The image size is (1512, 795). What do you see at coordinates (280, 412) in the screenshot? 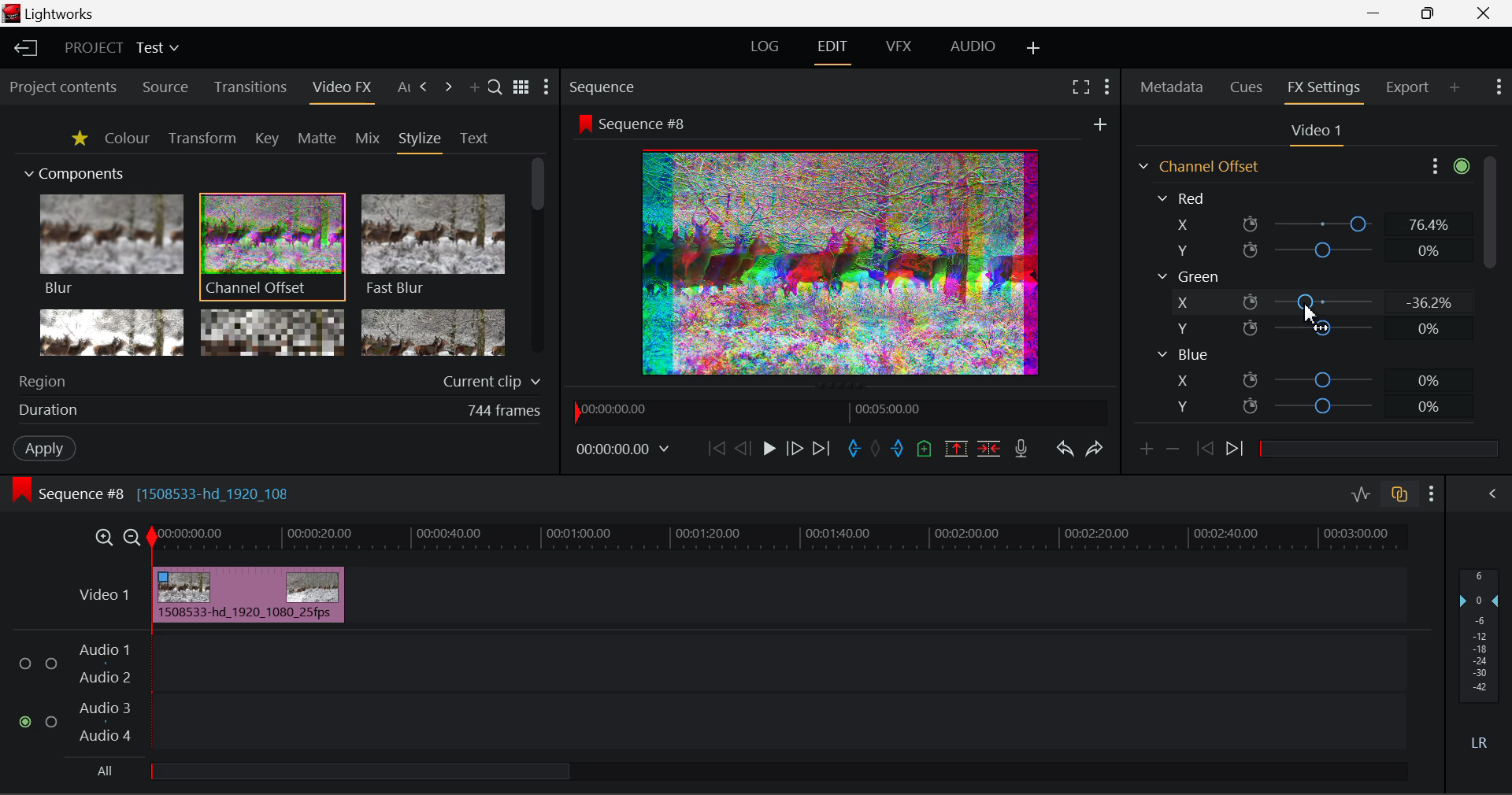
I see `Frame Duration` at bounding box center [280, 412].